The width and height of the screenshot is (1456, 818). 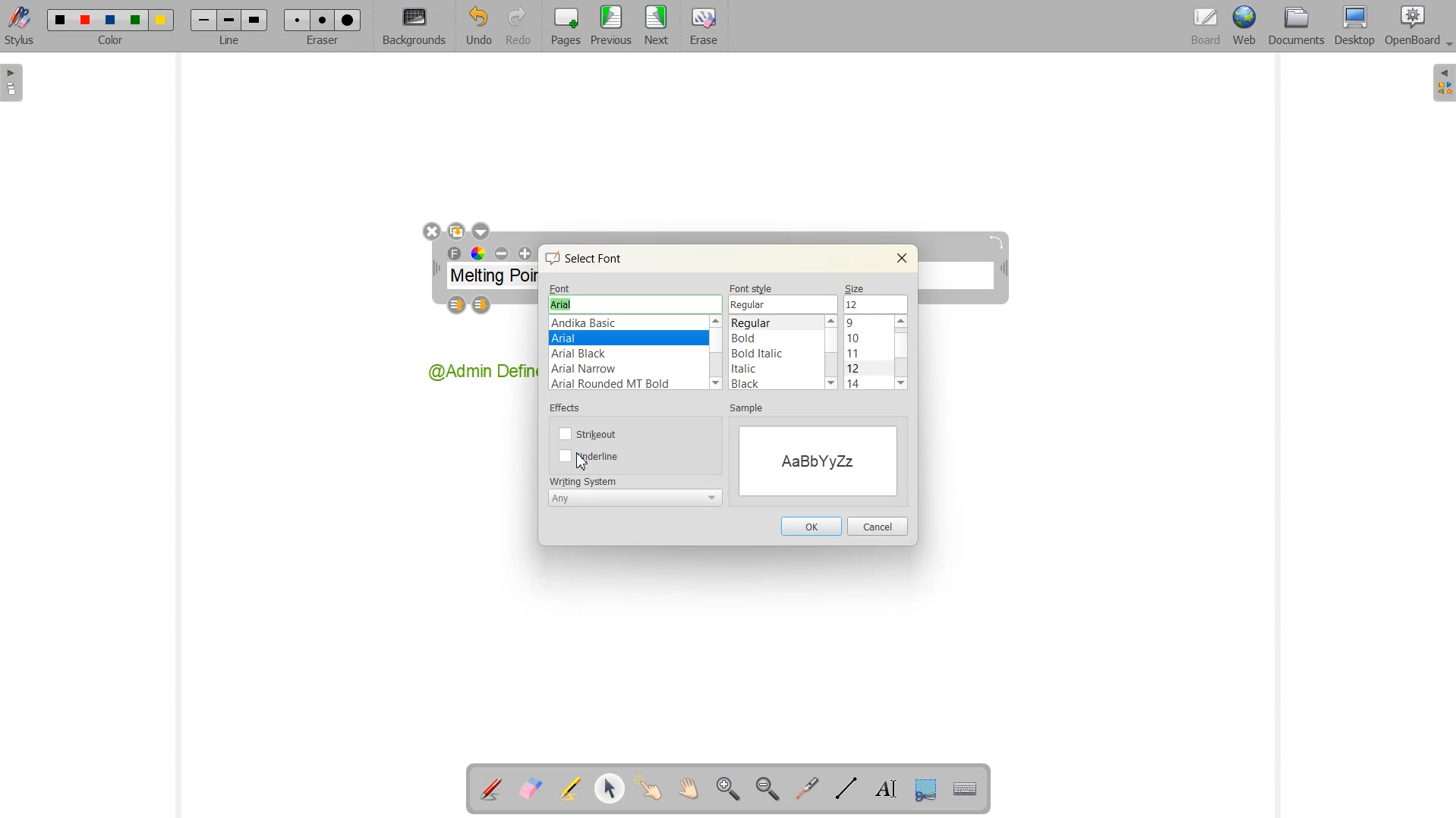 What do you see at coordinates (21, 27) in the screenshot?
I see `Stylus` at bounding box center [21, 27].